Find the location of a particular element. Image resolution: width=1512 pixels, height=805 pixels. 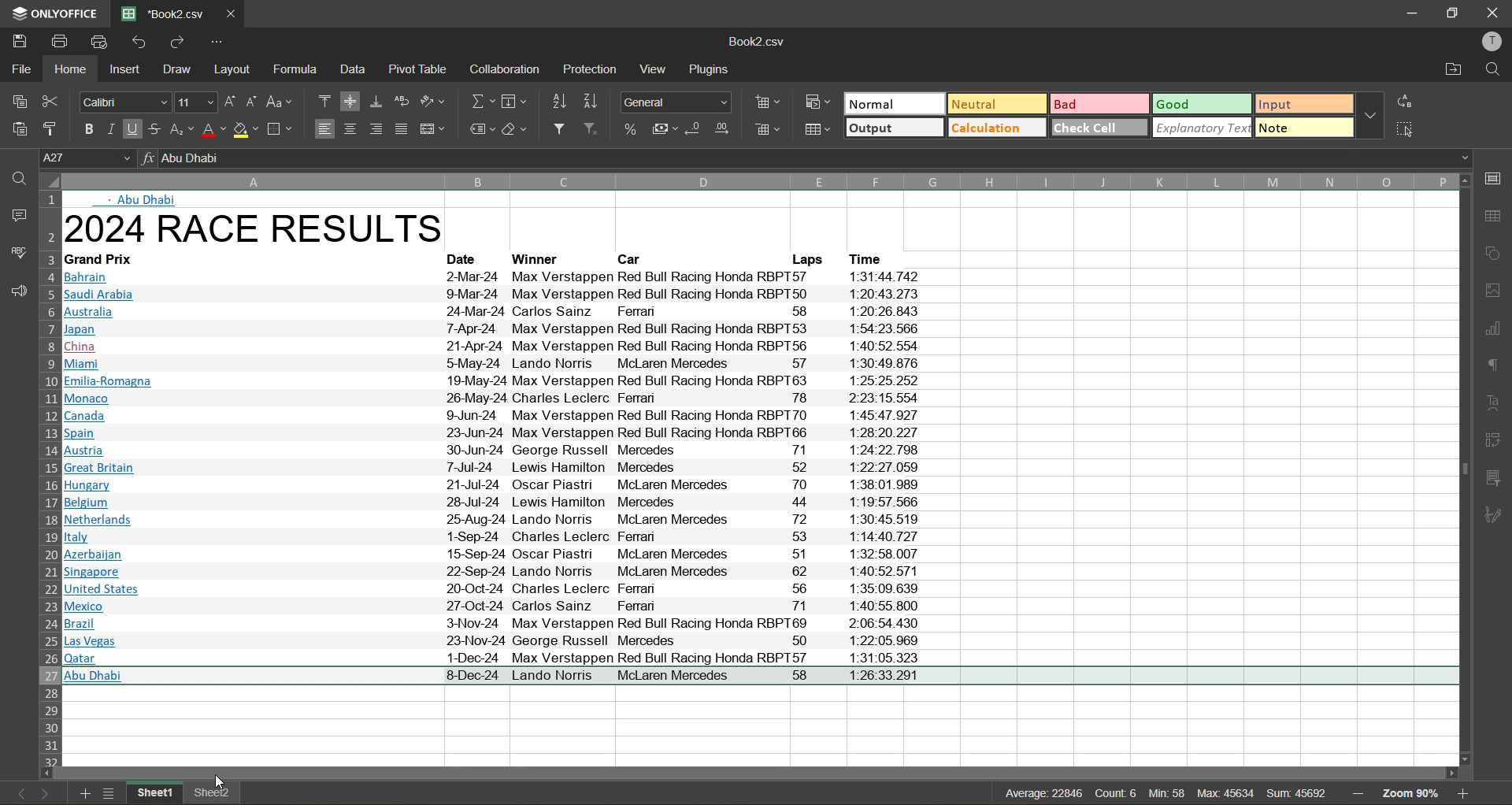

open is located at coordinates (13, 176).